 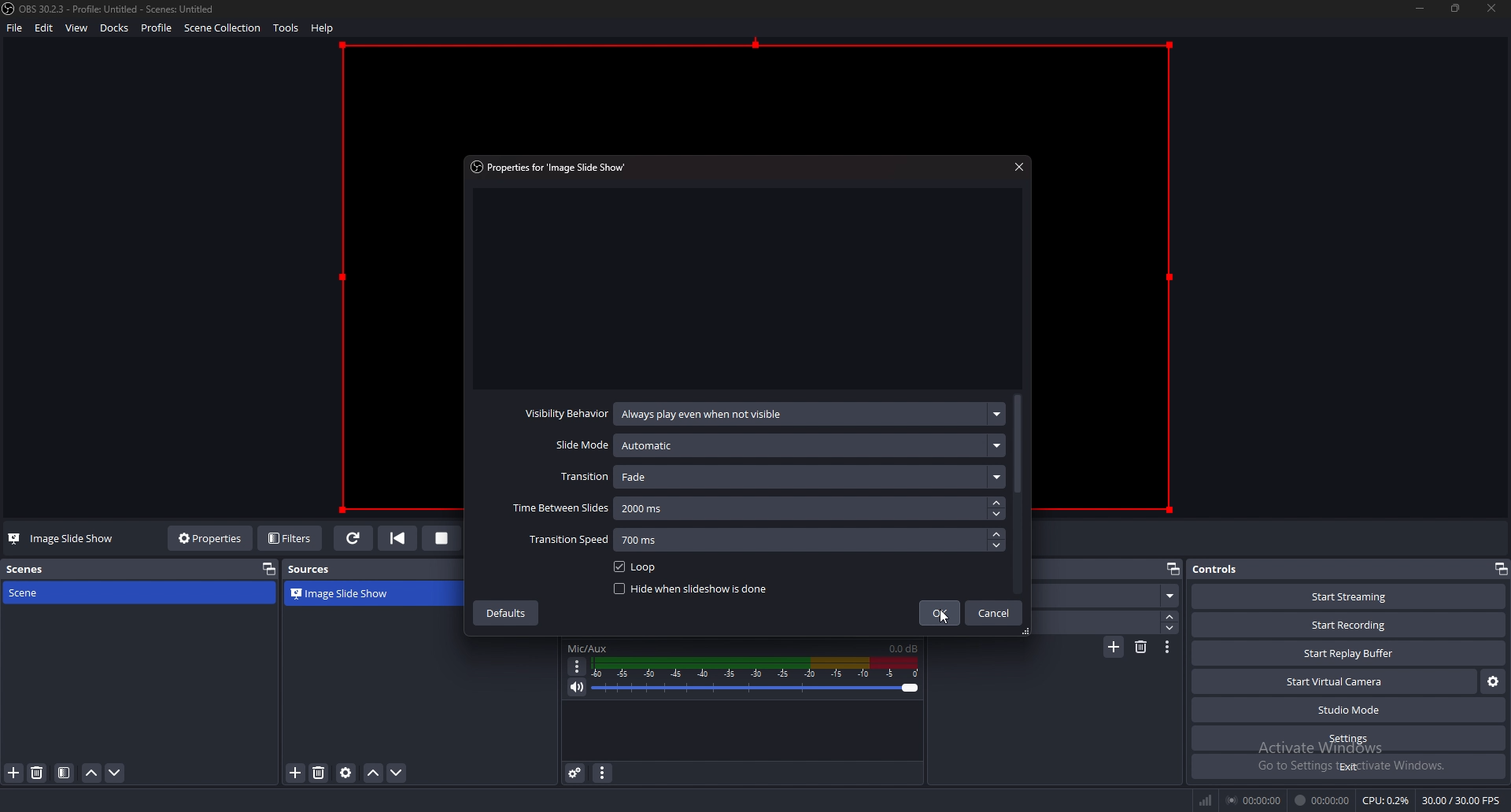 I want to click on pop out, so click(x=1500, y=569).